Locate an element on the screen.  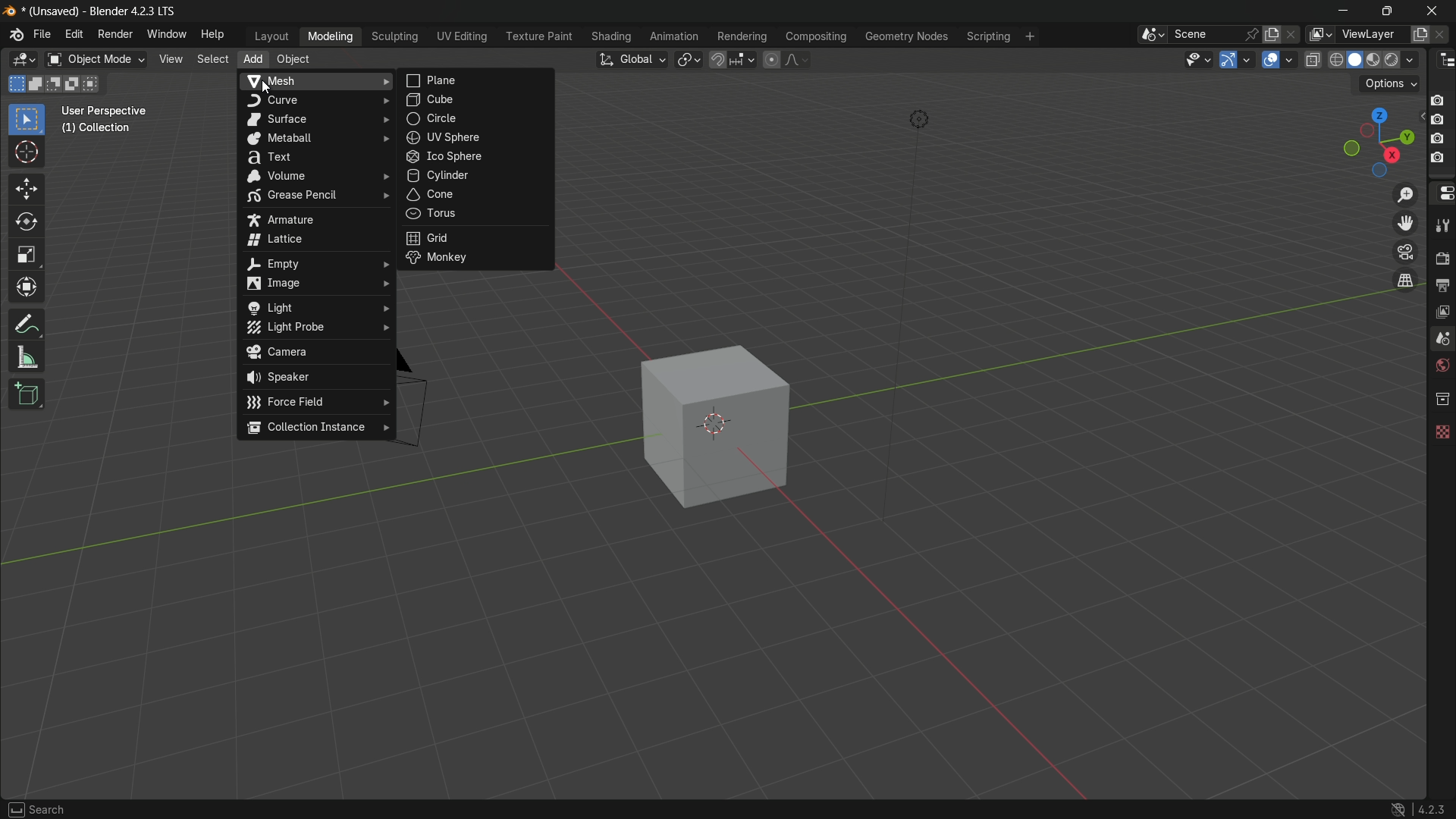
view menu is located at coordinates (171, 59).